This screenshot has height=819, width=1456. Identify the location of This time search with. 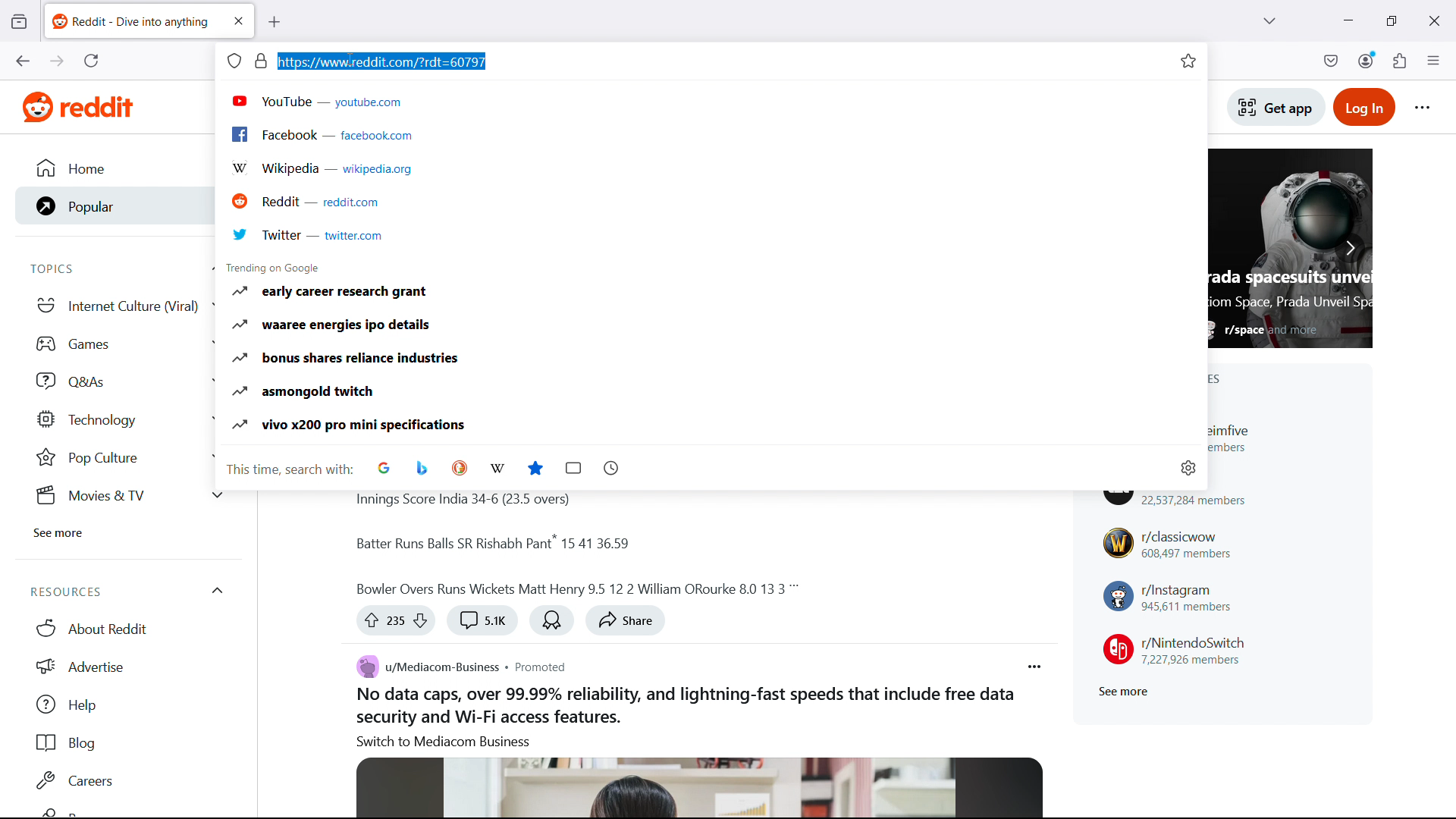
(290, 469).